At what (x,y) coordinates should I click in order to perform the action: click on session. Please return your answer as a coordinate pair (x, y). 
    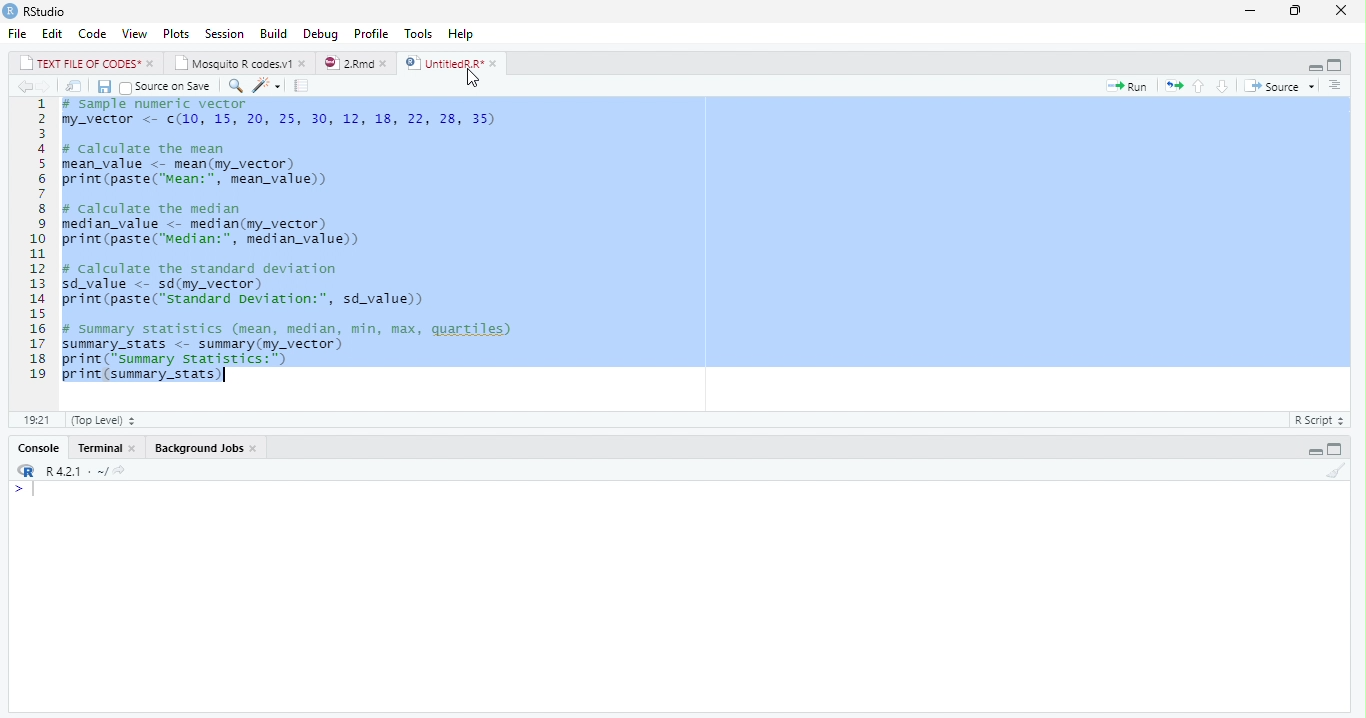
    Looking at the image, I should click on (224, 34).